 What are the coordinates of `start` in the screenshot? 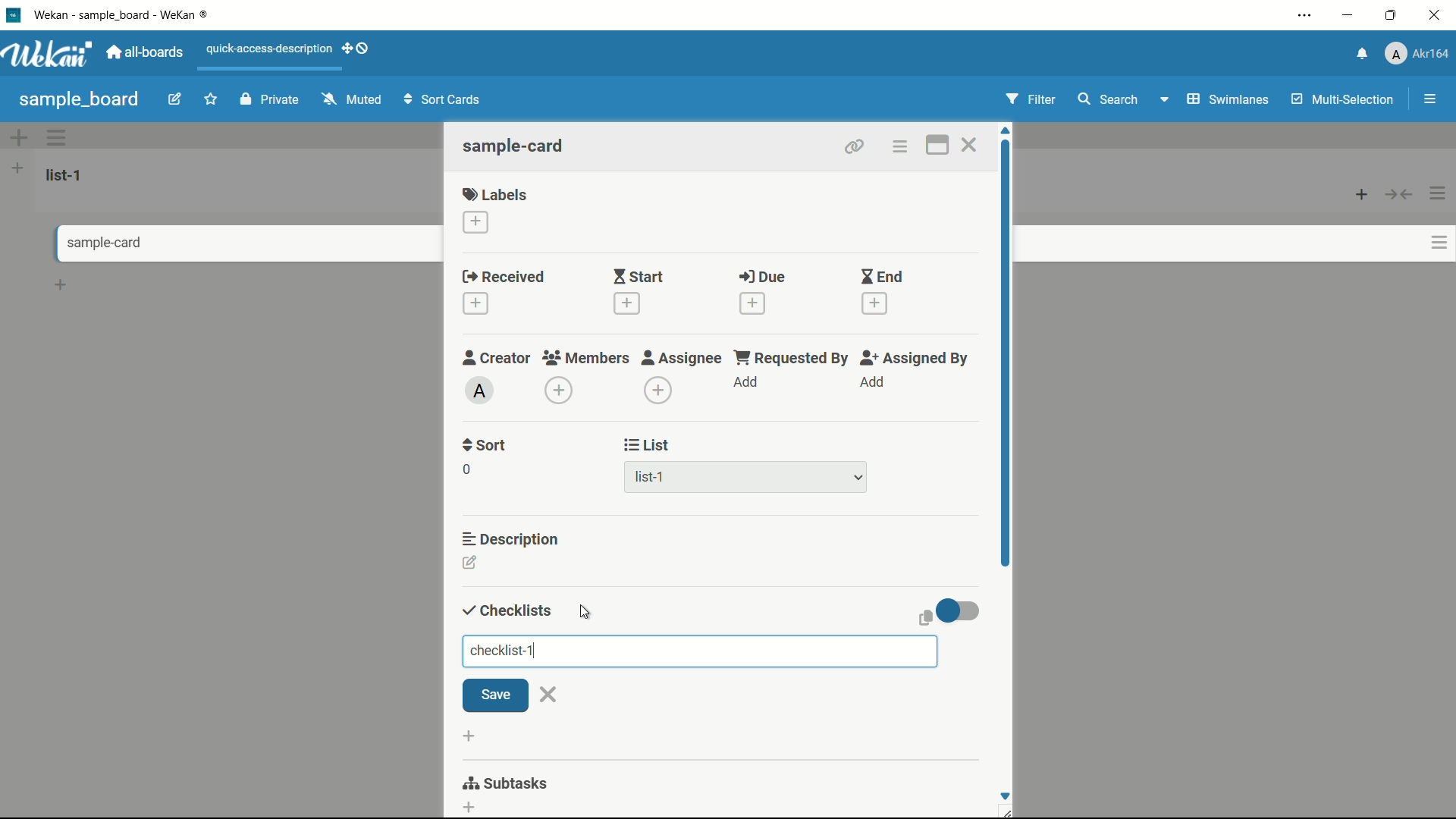 It's located at (638, 278).